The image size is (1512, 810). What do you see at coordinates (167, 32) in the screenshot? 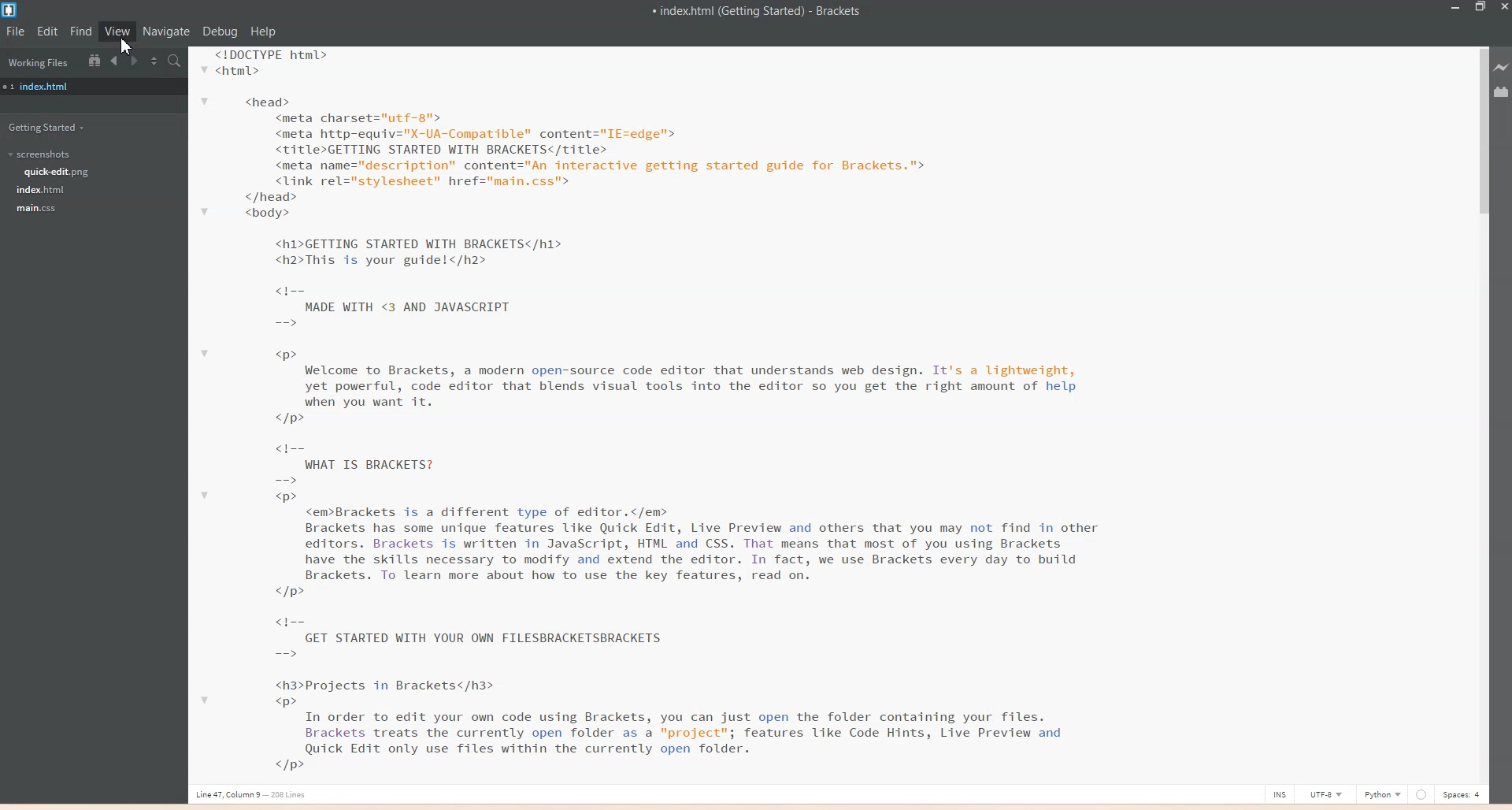
I see `Navigate` at bounding box center [167, 32].